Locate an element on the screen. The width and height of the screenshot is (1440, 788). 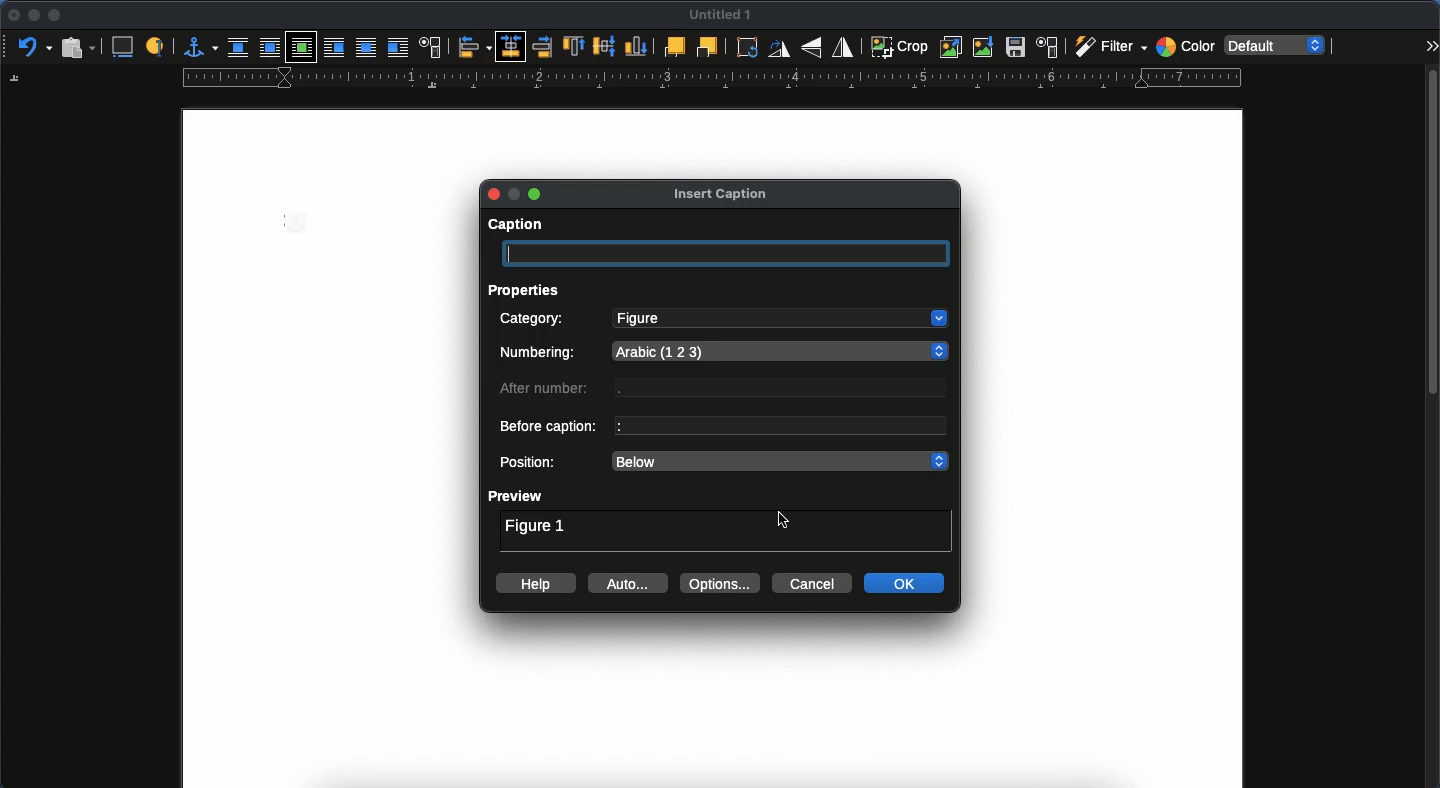
numbering is located at coordinates (541, 355).